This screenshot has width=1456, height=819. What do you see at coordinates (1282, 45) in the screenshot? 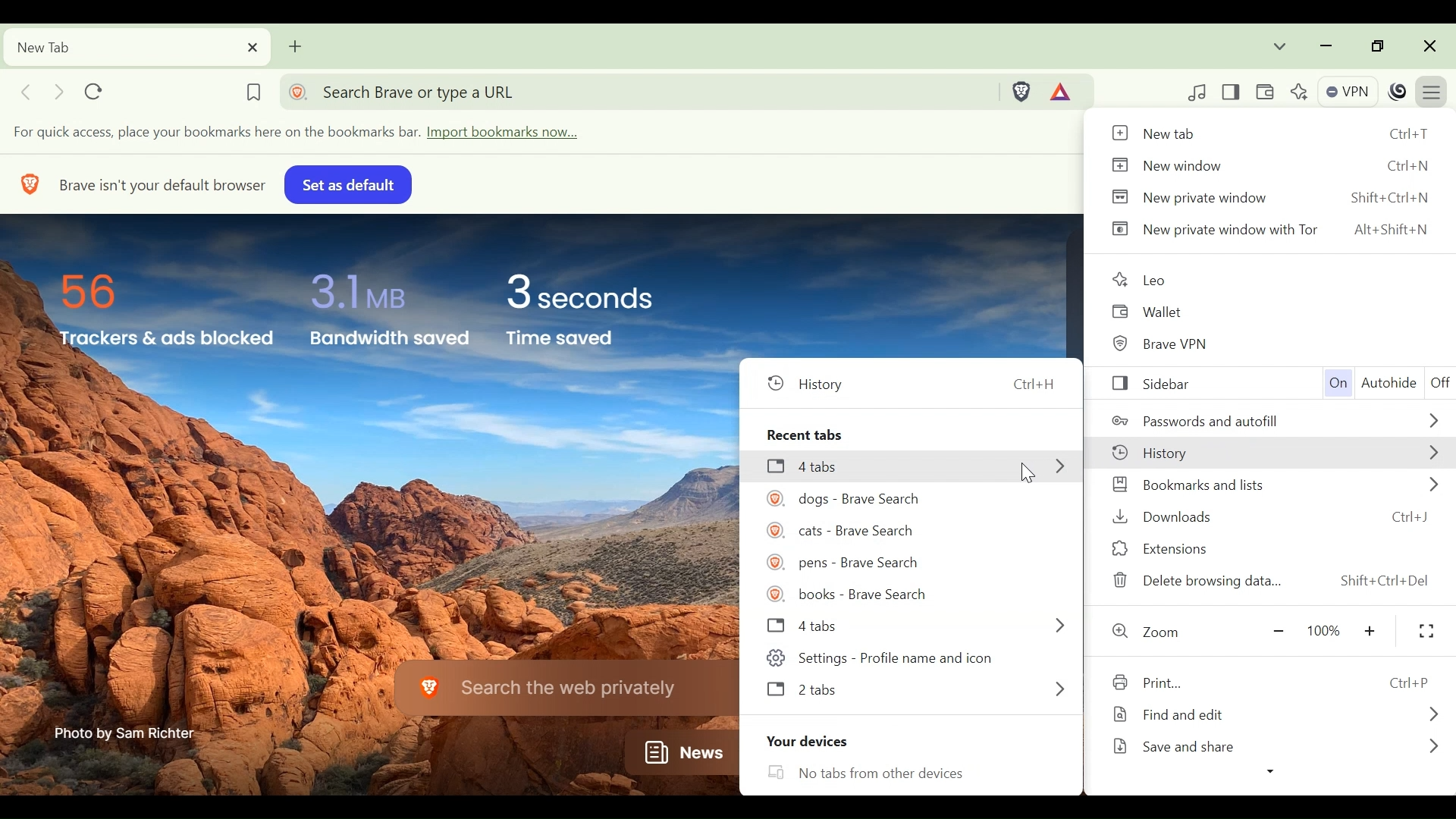
I see `Search tabs` at bounding box center [1282, 45].